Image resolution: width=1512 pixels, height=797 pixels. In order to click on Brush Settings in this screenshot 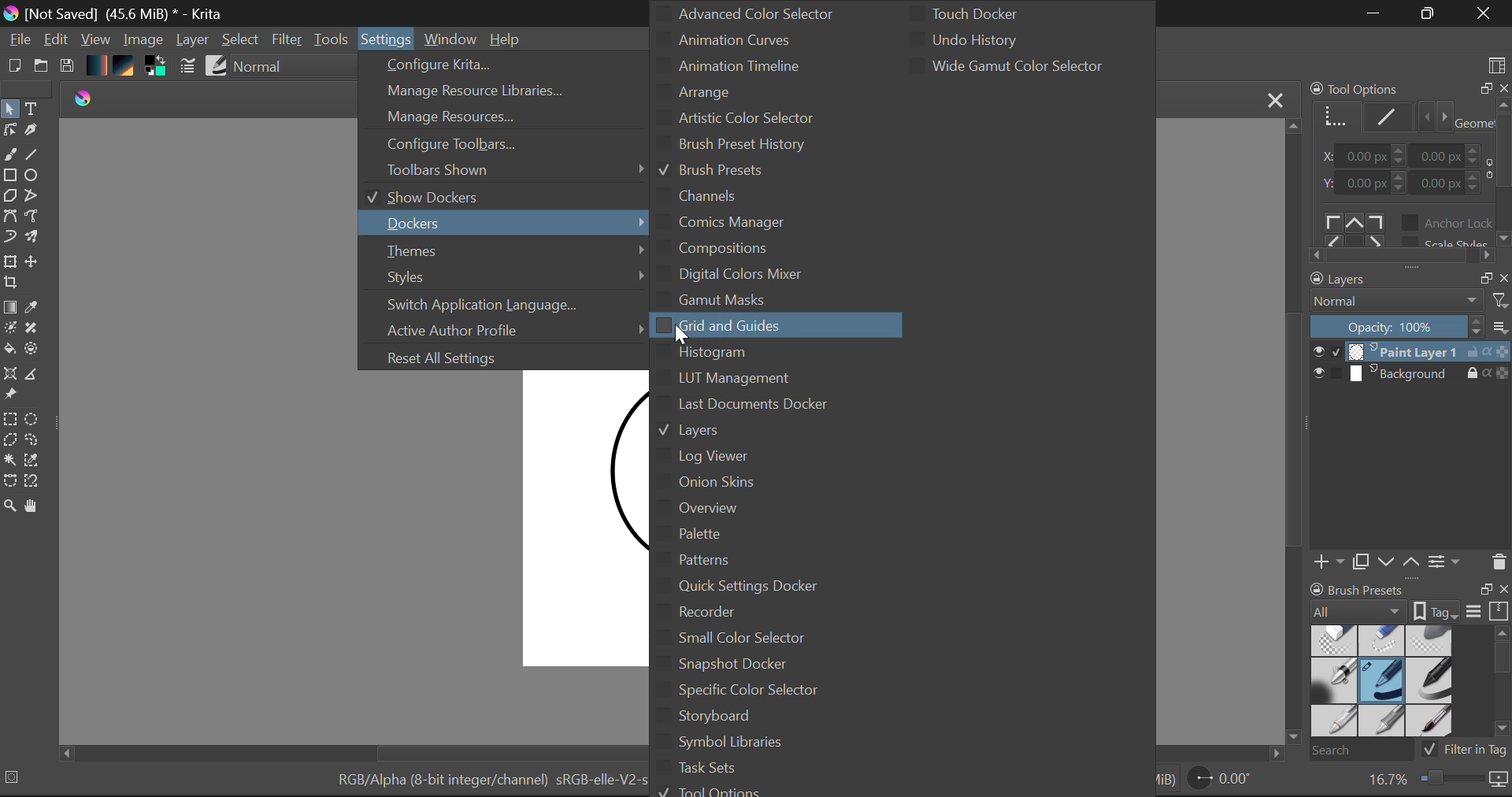, I will do `click(187, 67)`.